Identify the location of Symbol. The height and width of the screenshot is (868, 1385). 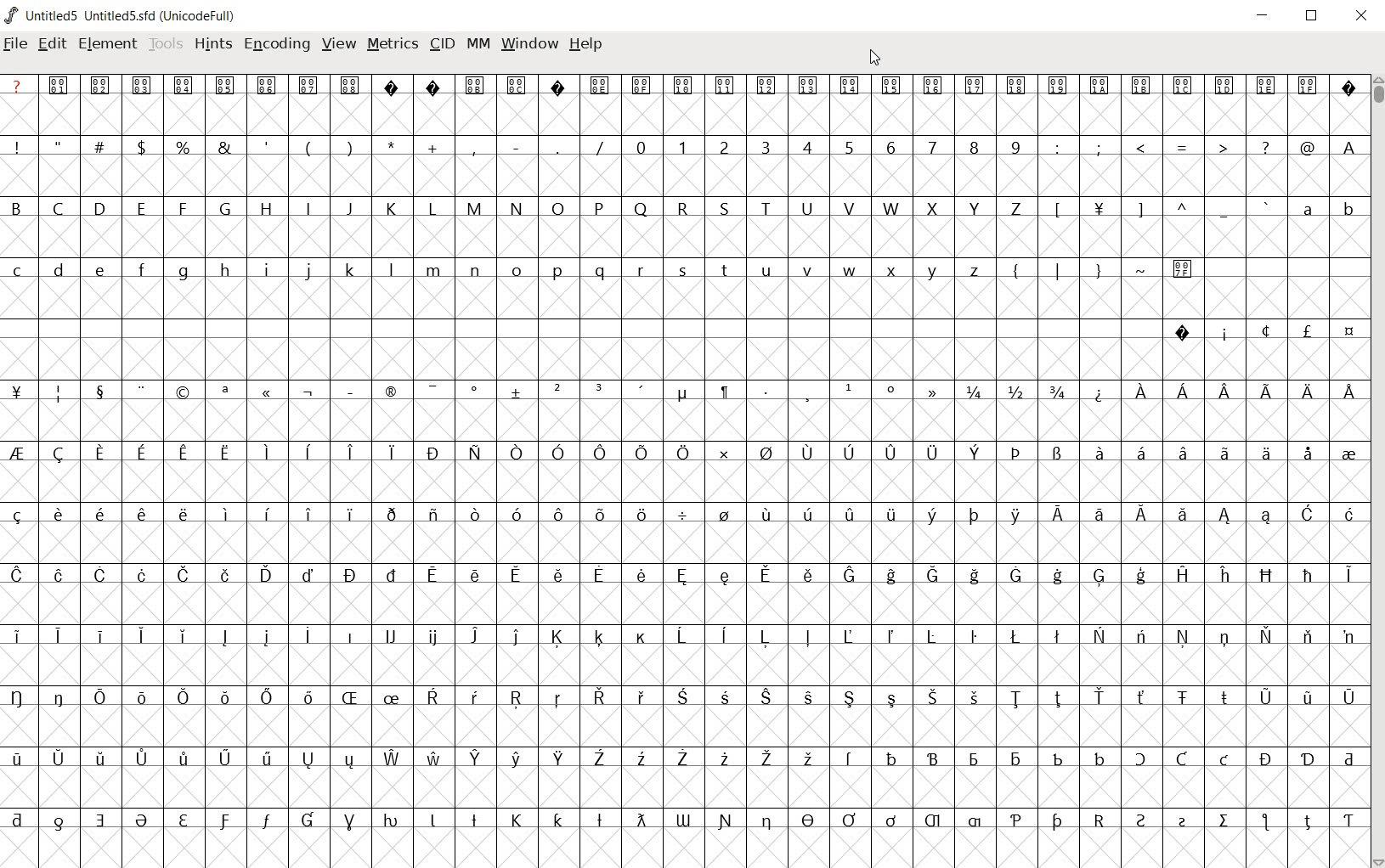
(1263, 697).